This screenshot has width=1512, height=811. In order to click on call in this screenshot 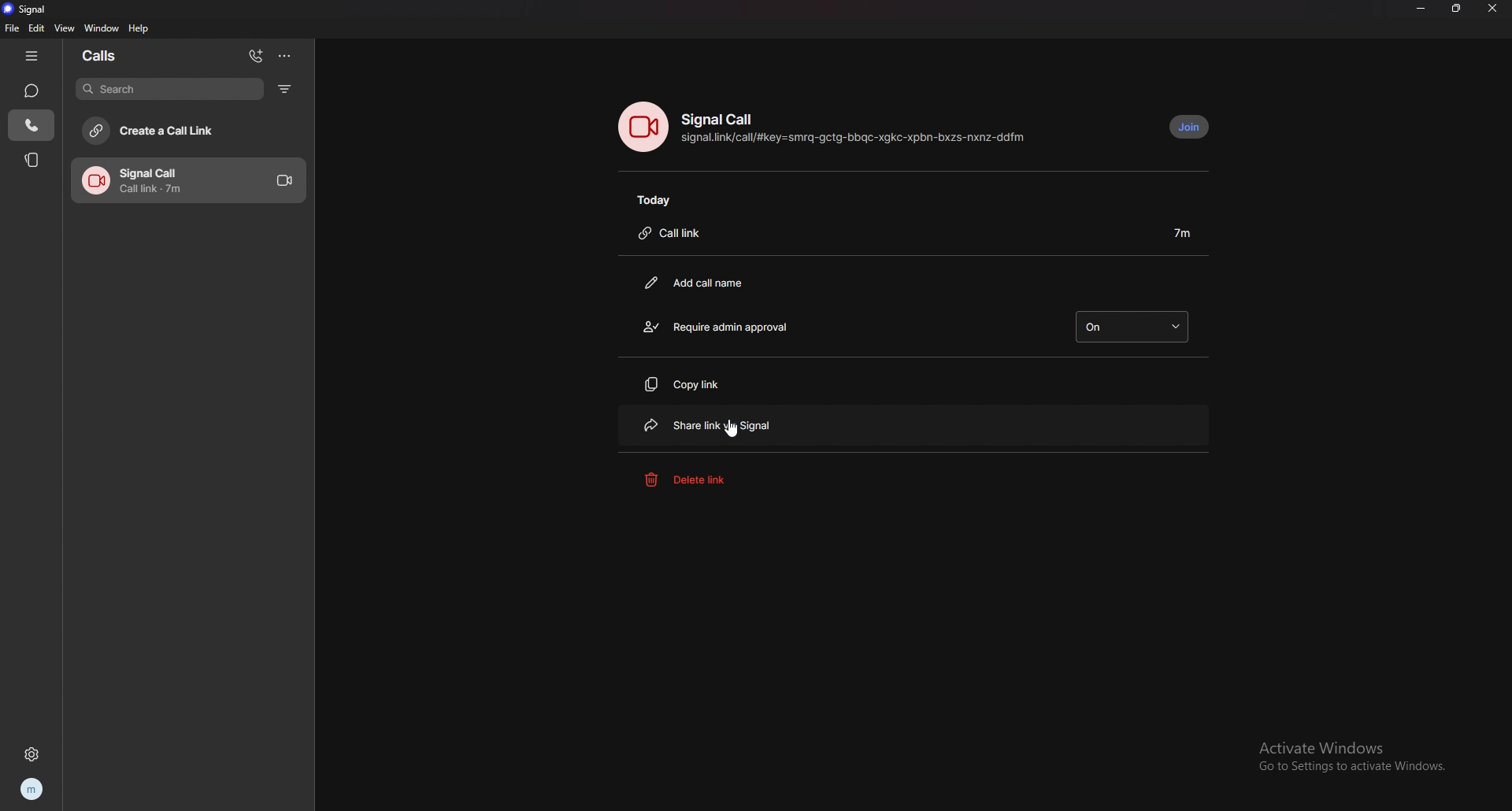, I will do `click(187, 180)`.